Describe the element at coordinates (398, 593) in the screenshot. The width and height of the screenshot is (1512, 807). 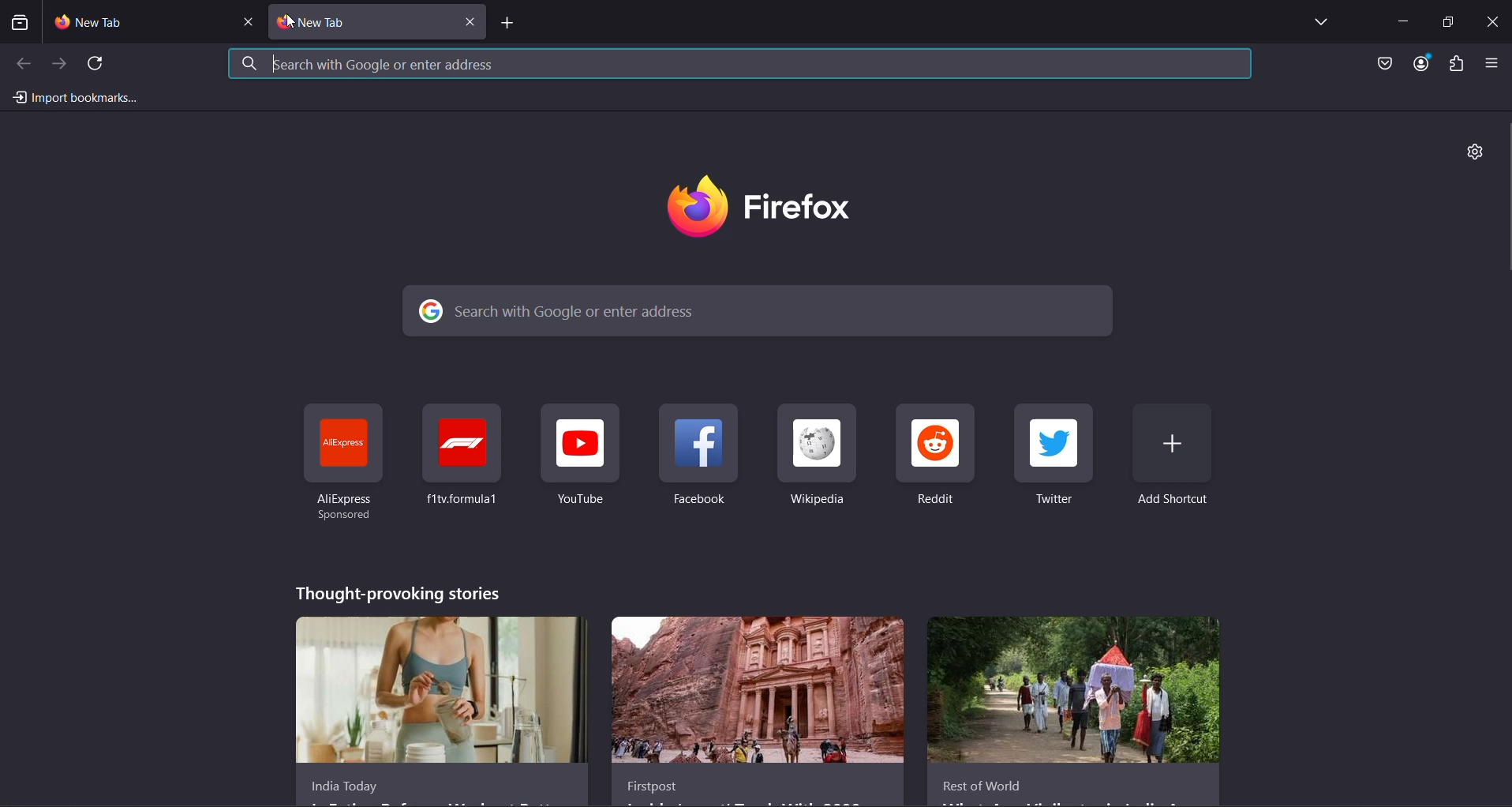
I see `thought-provoking stories` at that location.